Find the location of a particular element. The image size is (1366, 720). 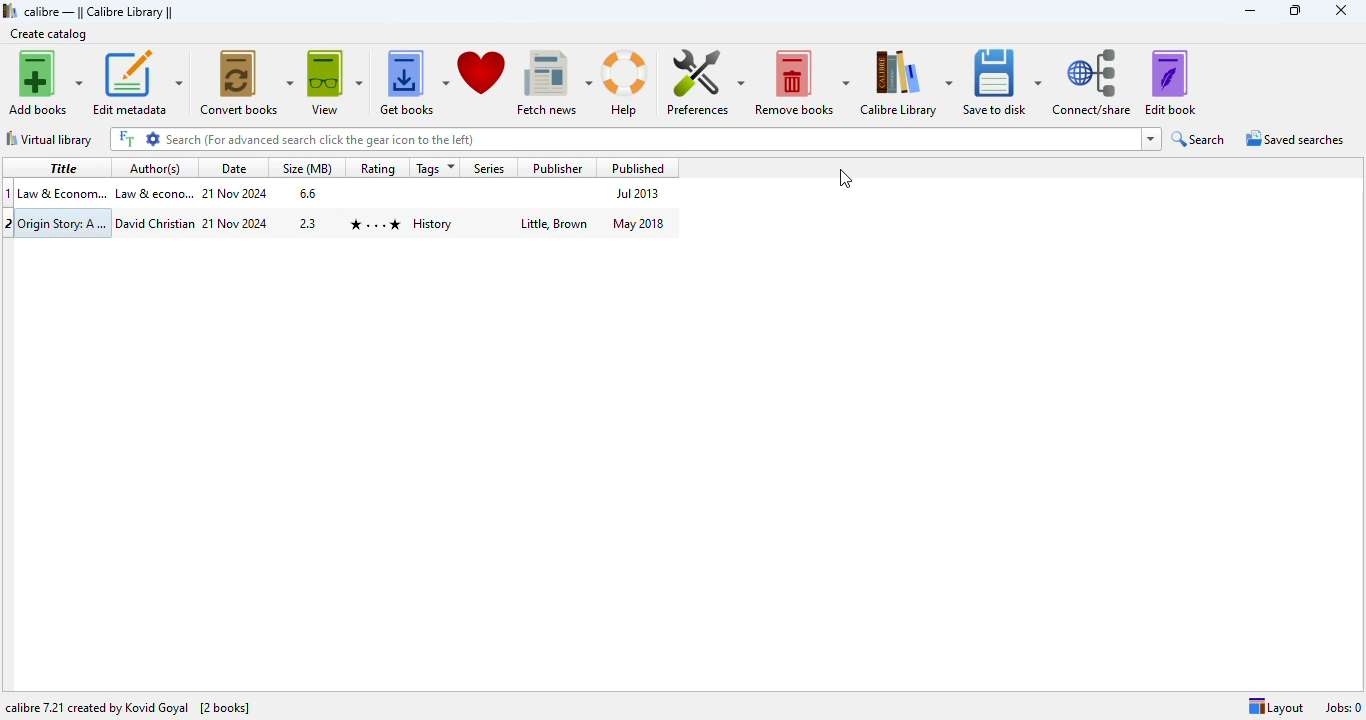

rating is located at coordinates (379, 168).